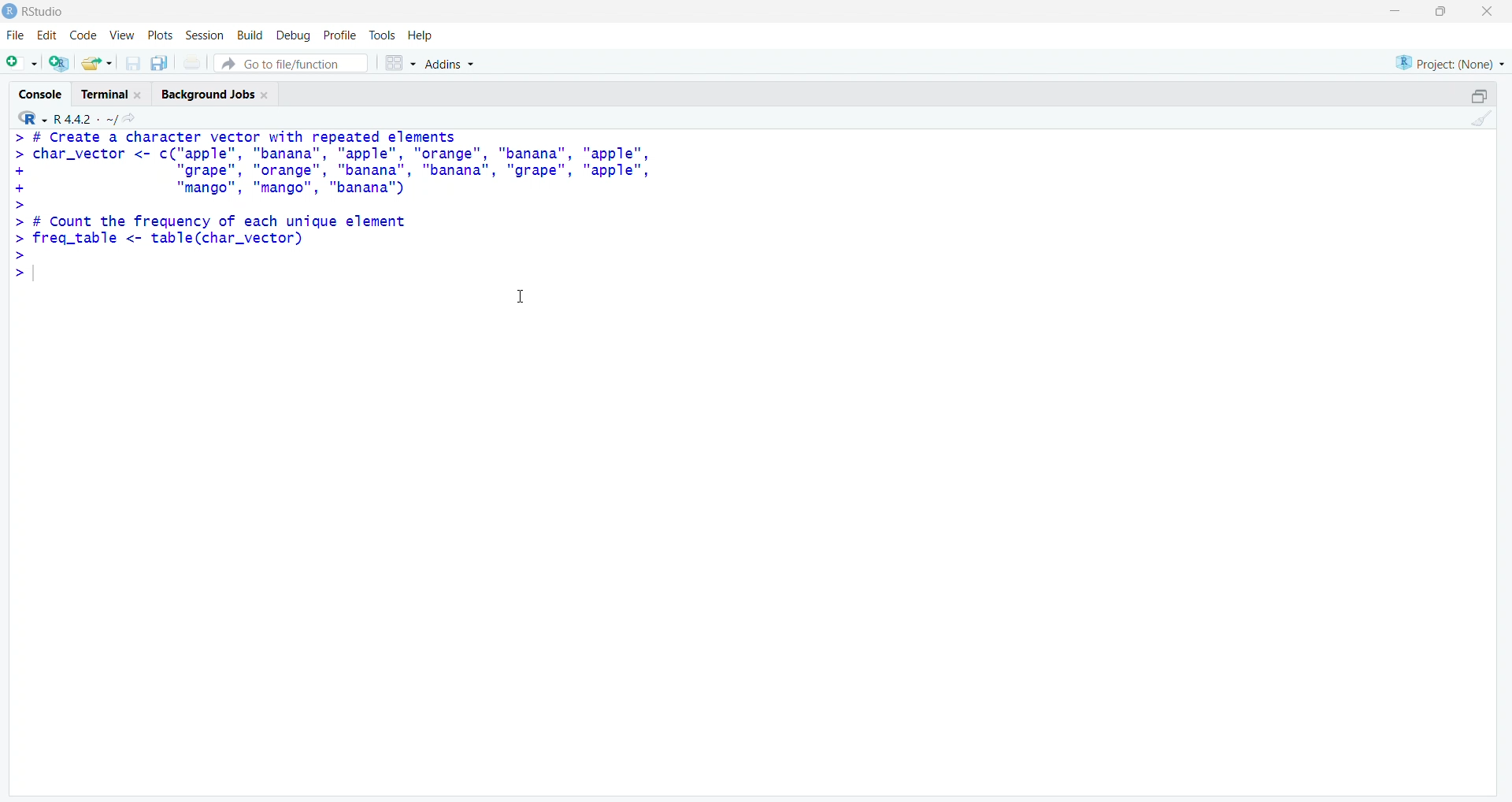 The image size is (1512, 802). Describe the element at coordinates (1441, 14) in the screenshot. I see `Maximize` at that location.